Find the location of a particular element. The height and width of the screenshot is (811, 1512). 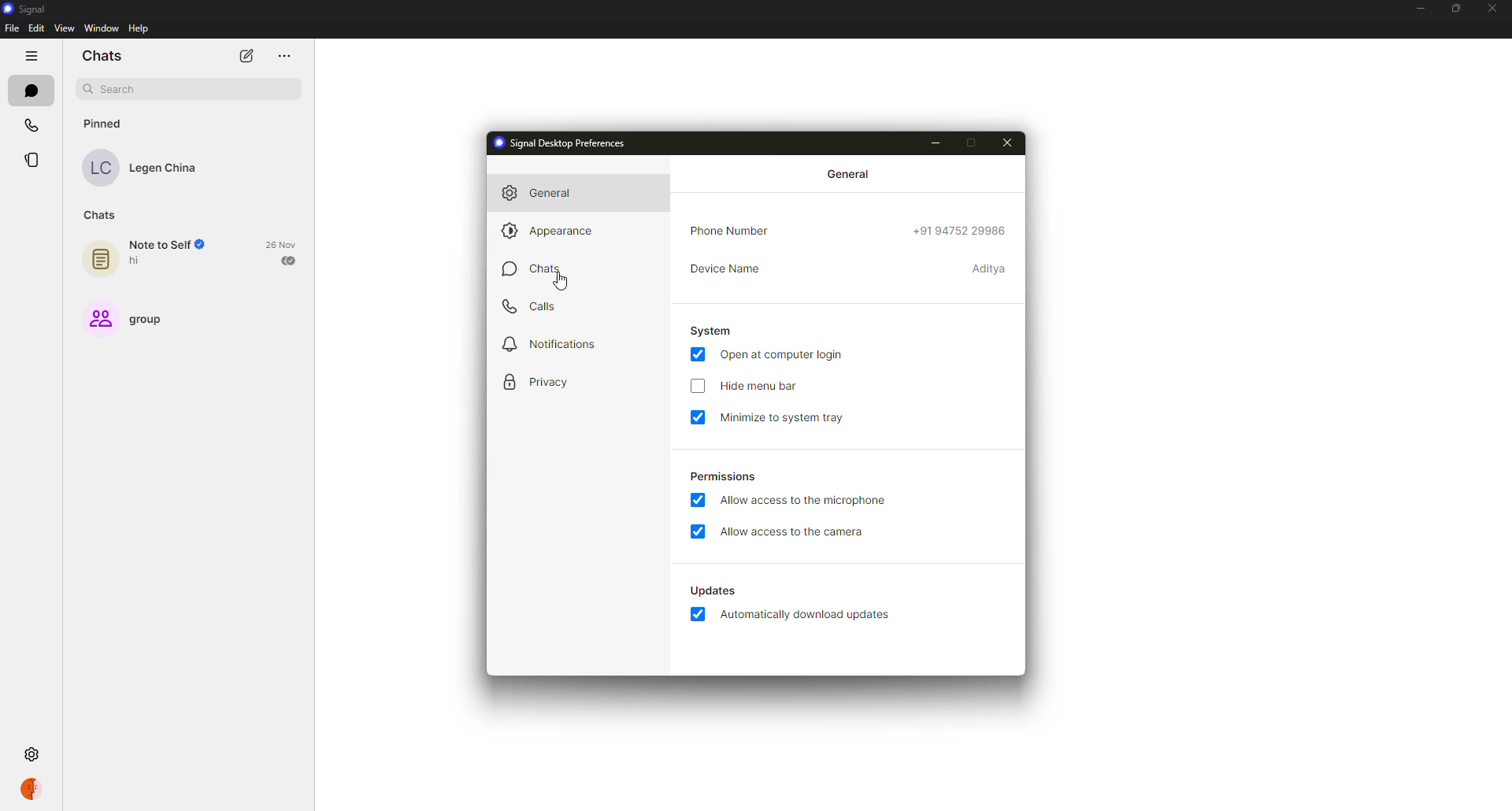

signal desktop preferences is located at coordinates (569, 143).